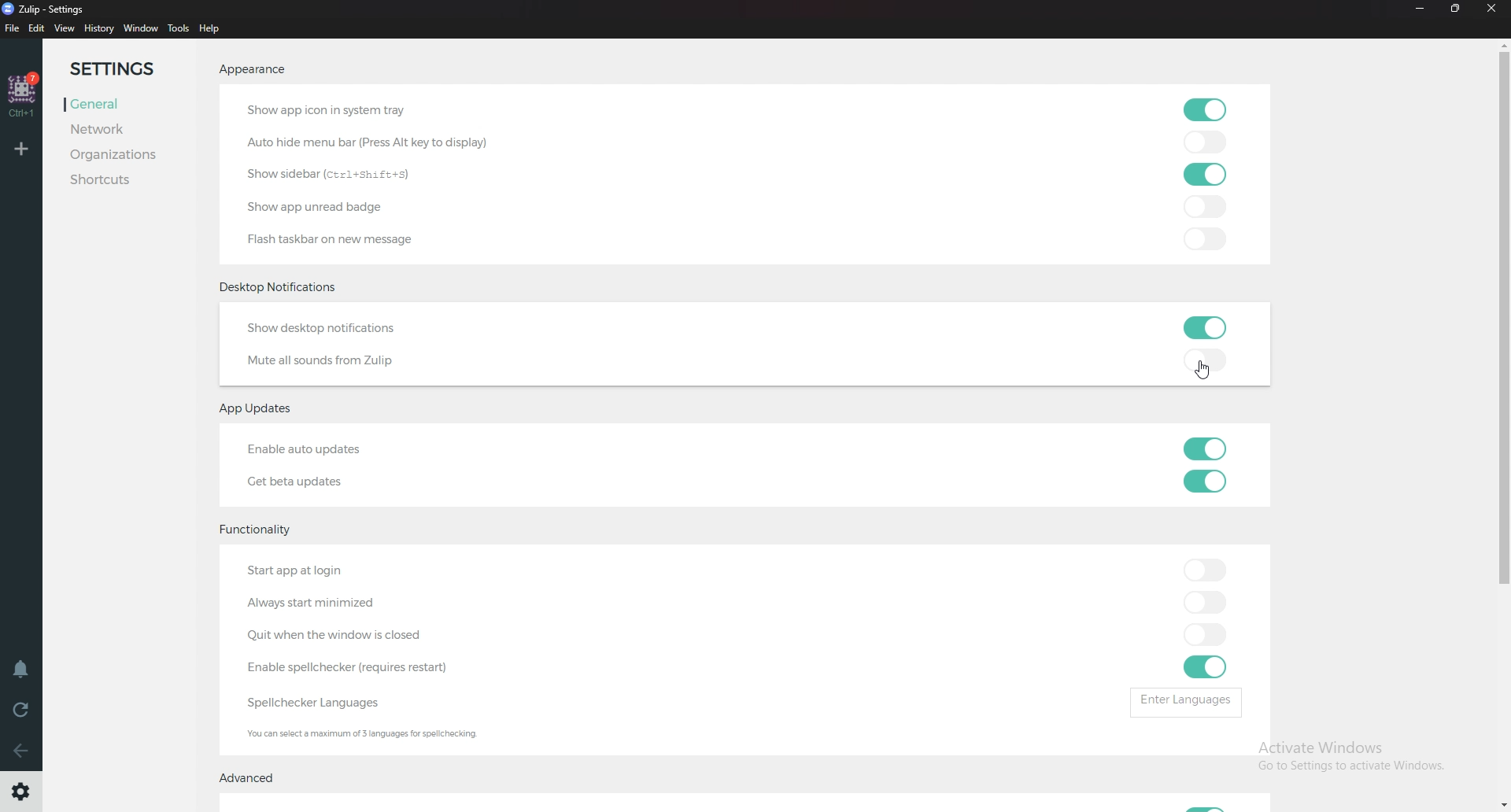 This screenshot has width=1511, height=812. I want to click on History, so click(99, 28).